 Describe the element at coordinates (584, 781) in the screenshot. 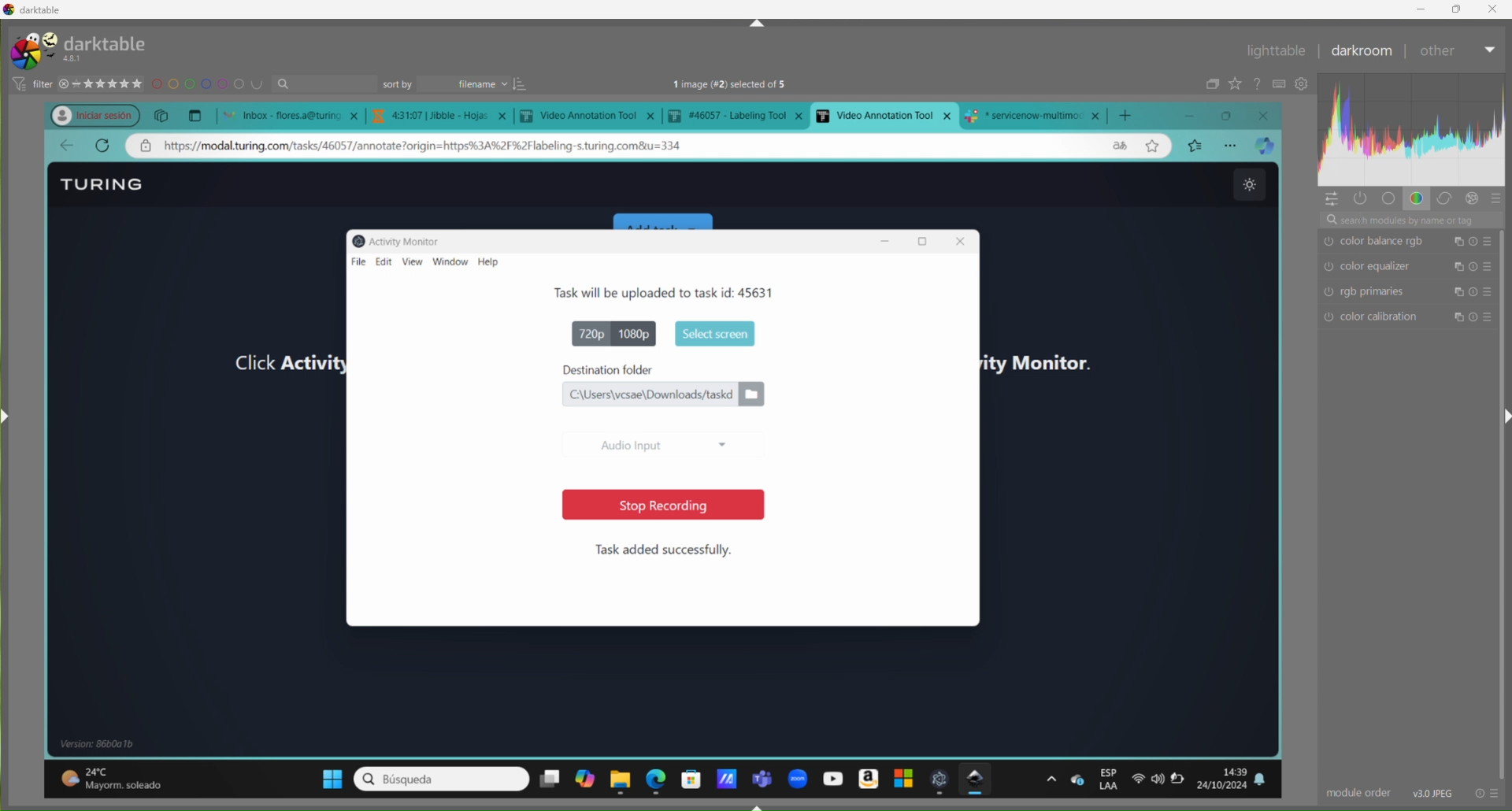

I see `copilot` at that location.